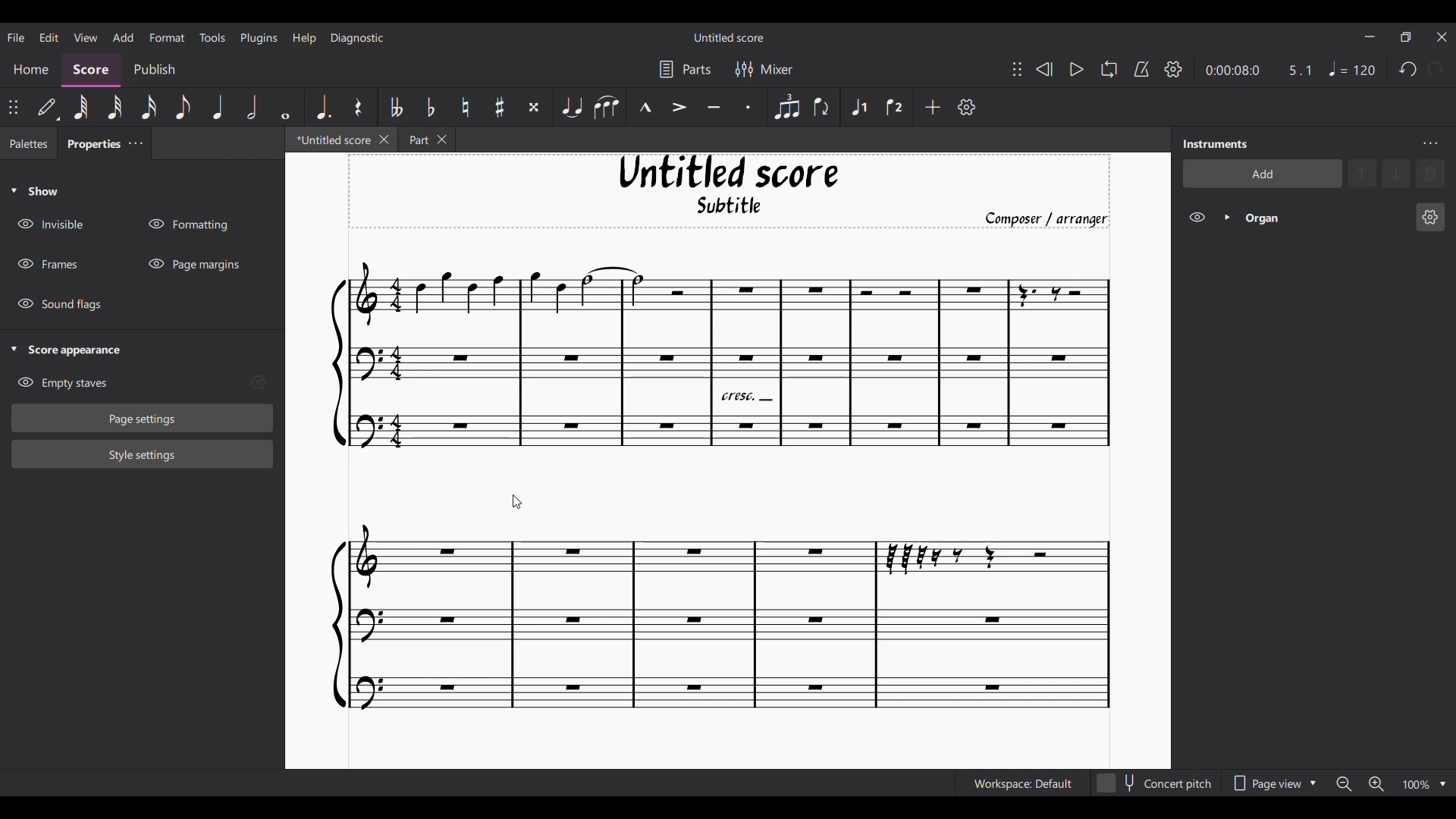 The width and height of the screenshot is (1456, 819). I want to click on Accent, so click(679, 108).